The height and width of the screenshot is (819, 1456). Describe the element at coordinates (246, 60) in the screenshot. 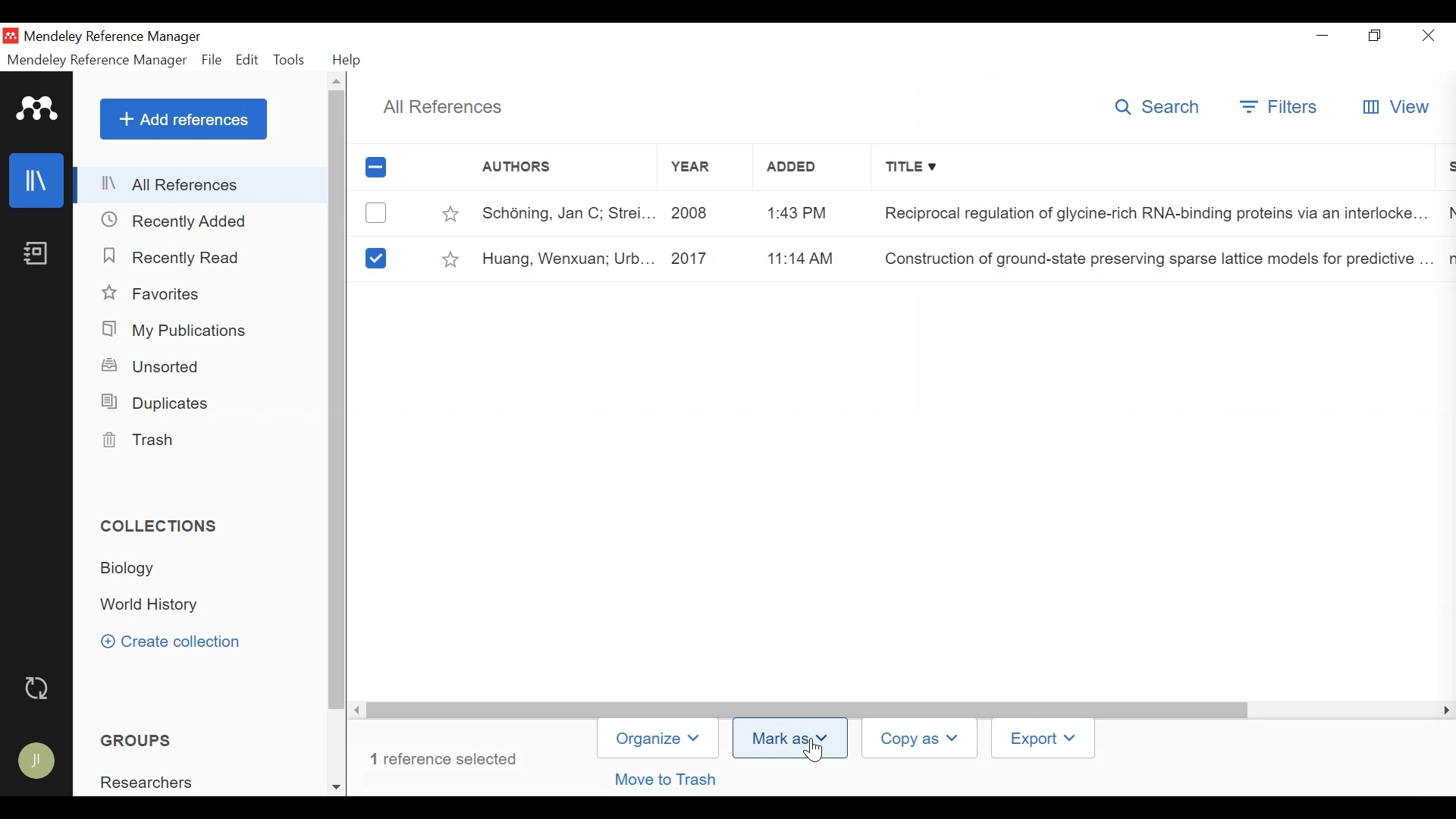

I see `Edit` at that location.